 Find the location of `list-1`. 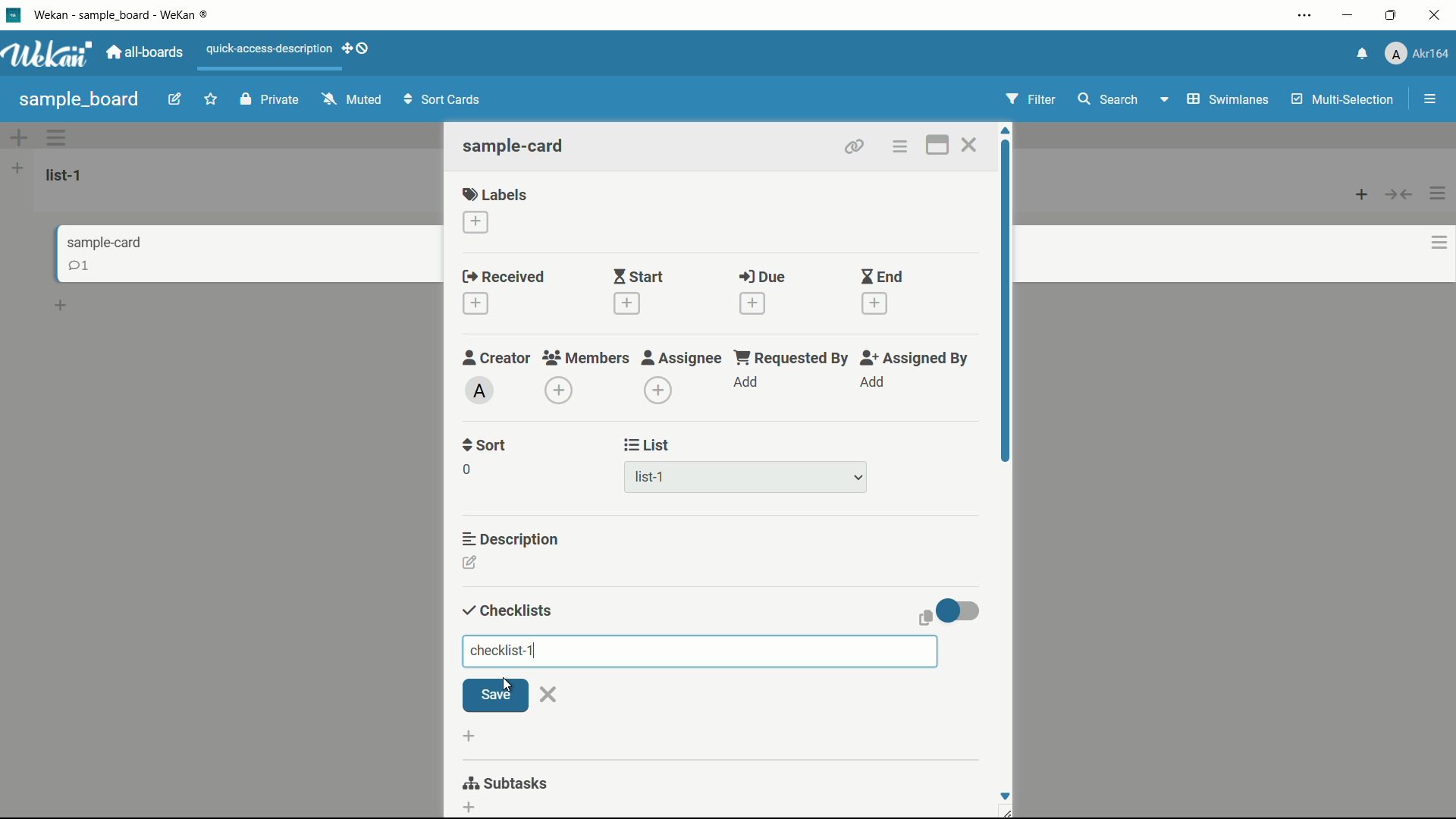

list-1 is located at coordinates (650, 478).